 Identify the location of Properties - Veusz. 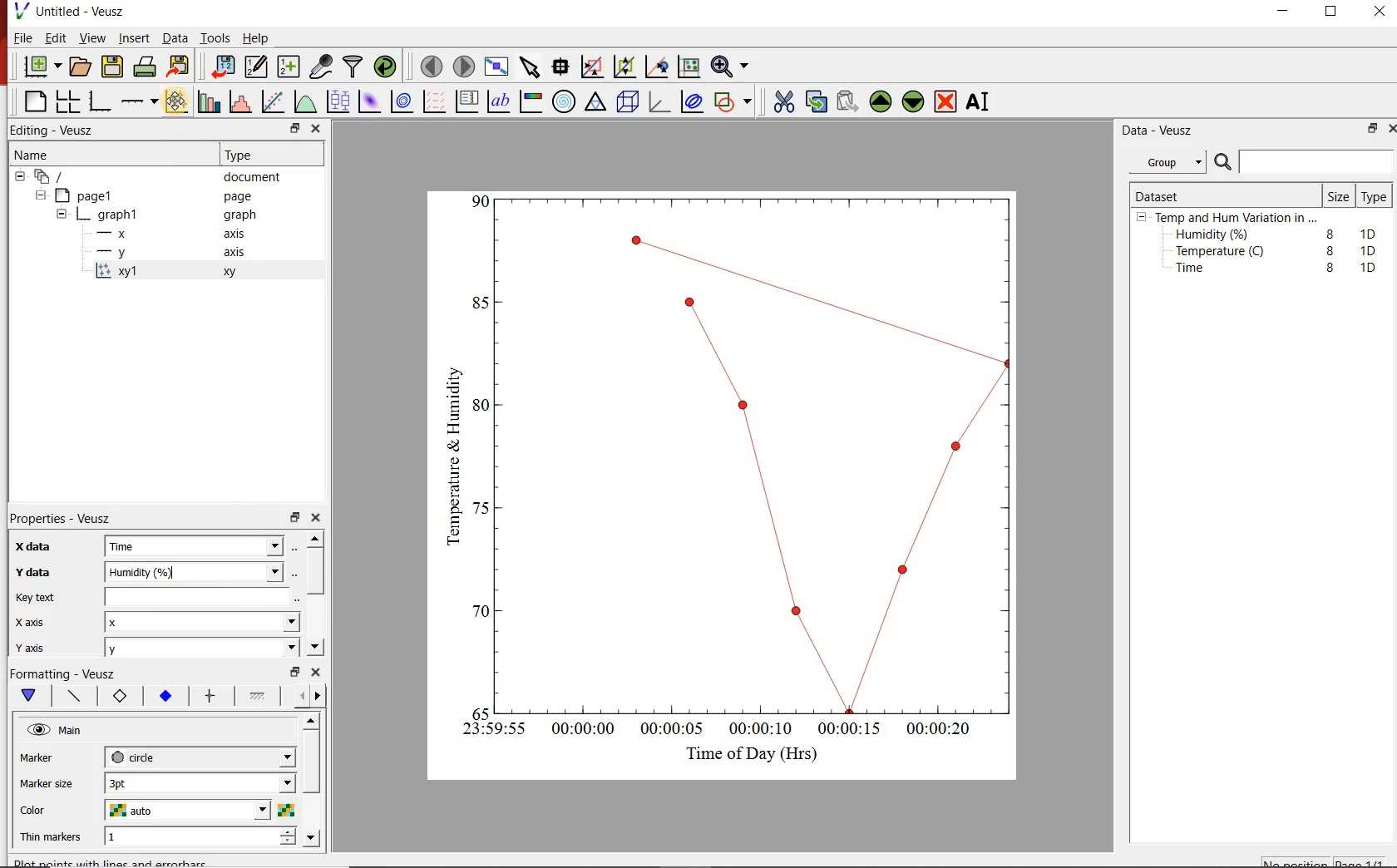
(69, 515).